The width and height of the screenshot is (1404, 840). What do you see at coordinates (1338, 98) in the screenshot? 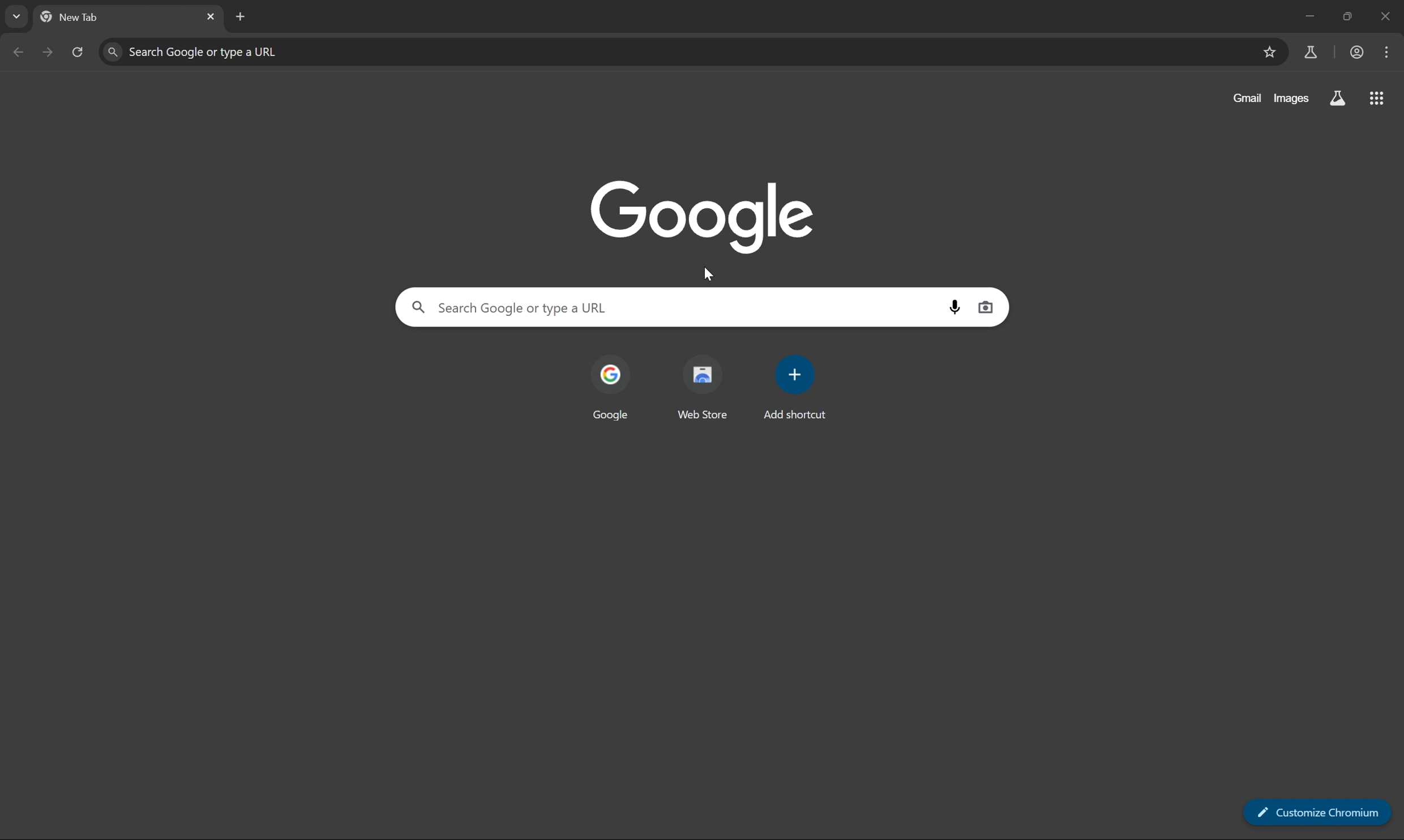
I see `search labs` at bounding box center [1338, 98].